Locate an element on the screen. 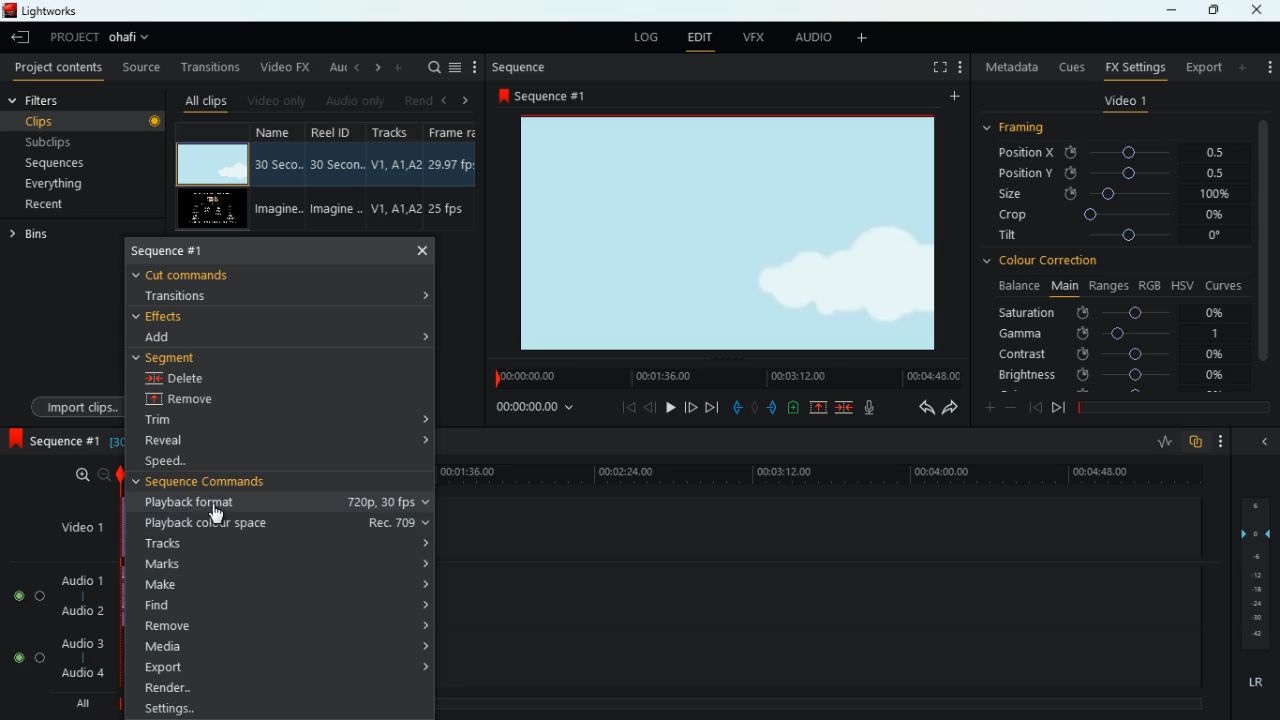 The height and width of the screenshot is (720, 1280). battery is located at coordinates (793, 407).